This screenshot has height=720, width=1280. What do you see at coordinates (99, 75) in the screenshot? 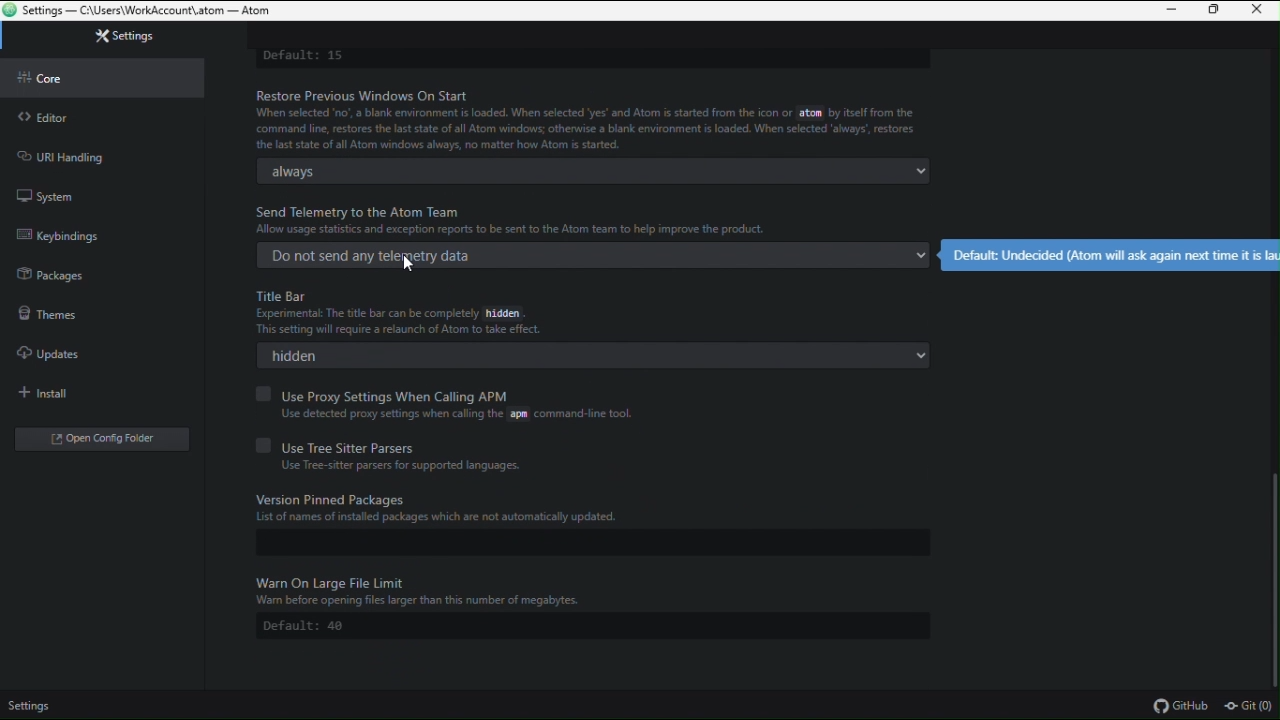
I see `core` at bounding box center [99, 75].